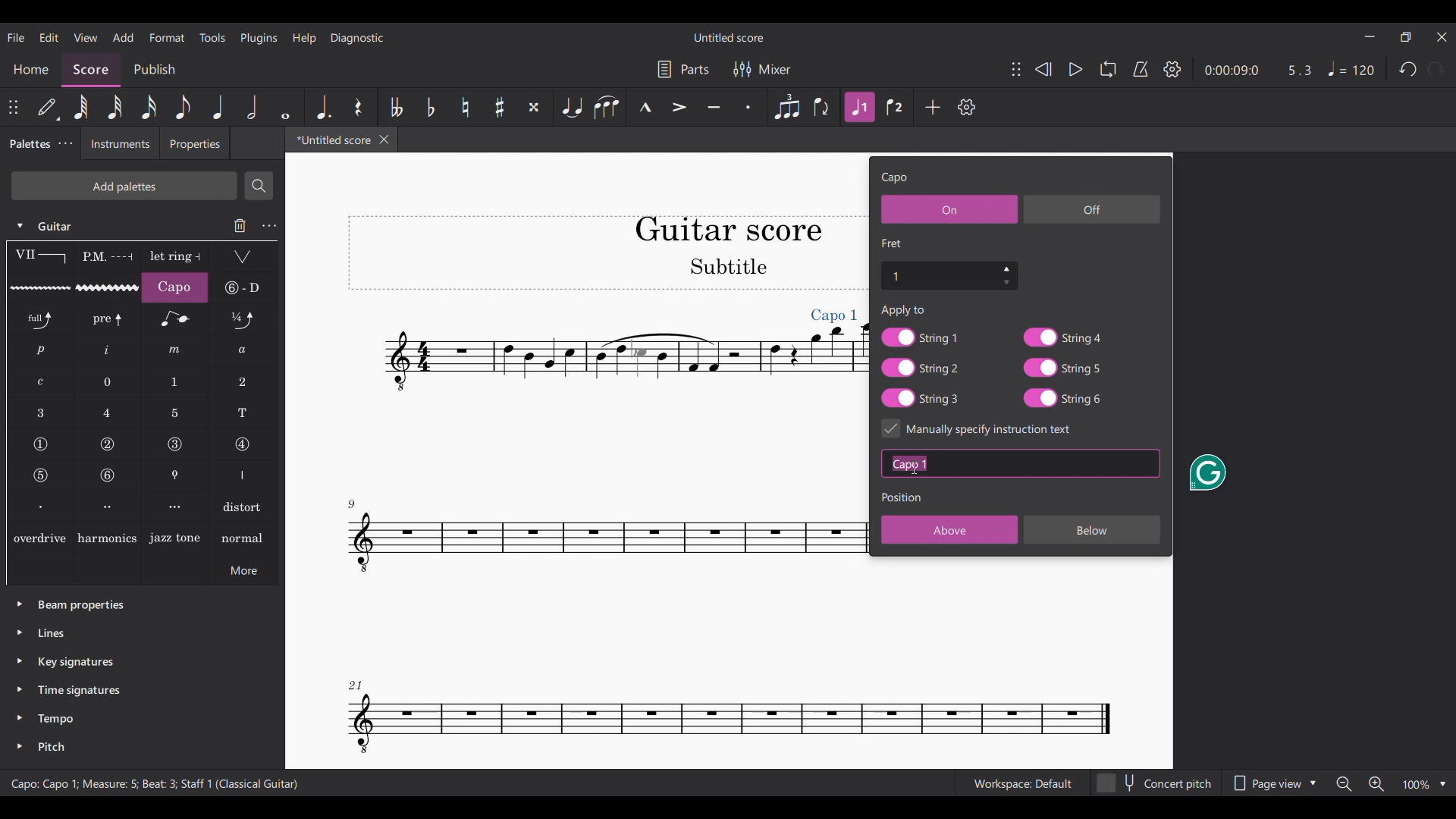 This screenshot has height=819, width=1456. I want to click on Capo added, so click(834, 315).